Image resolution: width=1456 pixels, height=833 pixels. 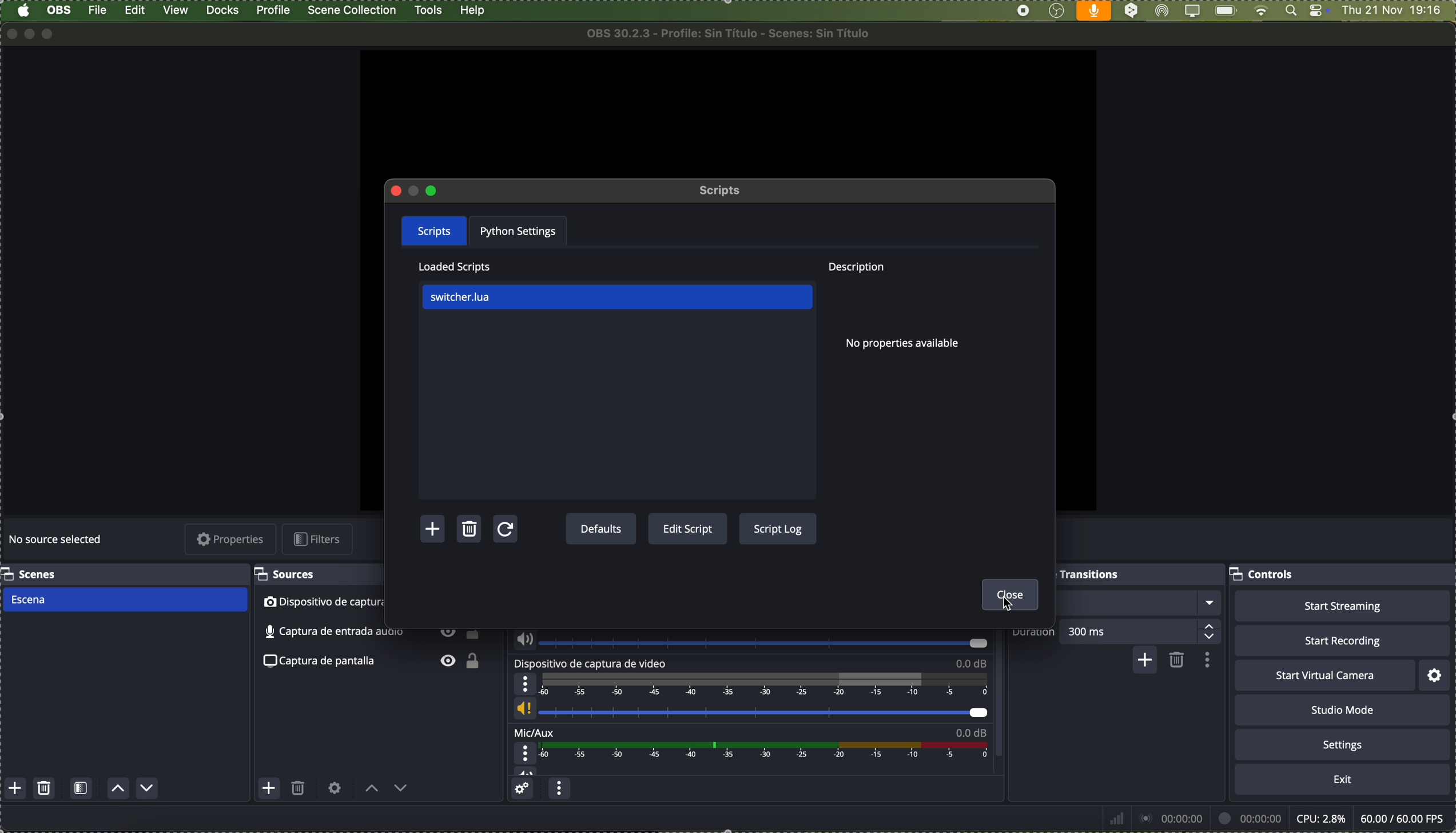 I want to click on scenes, so click(x=31, y=574).